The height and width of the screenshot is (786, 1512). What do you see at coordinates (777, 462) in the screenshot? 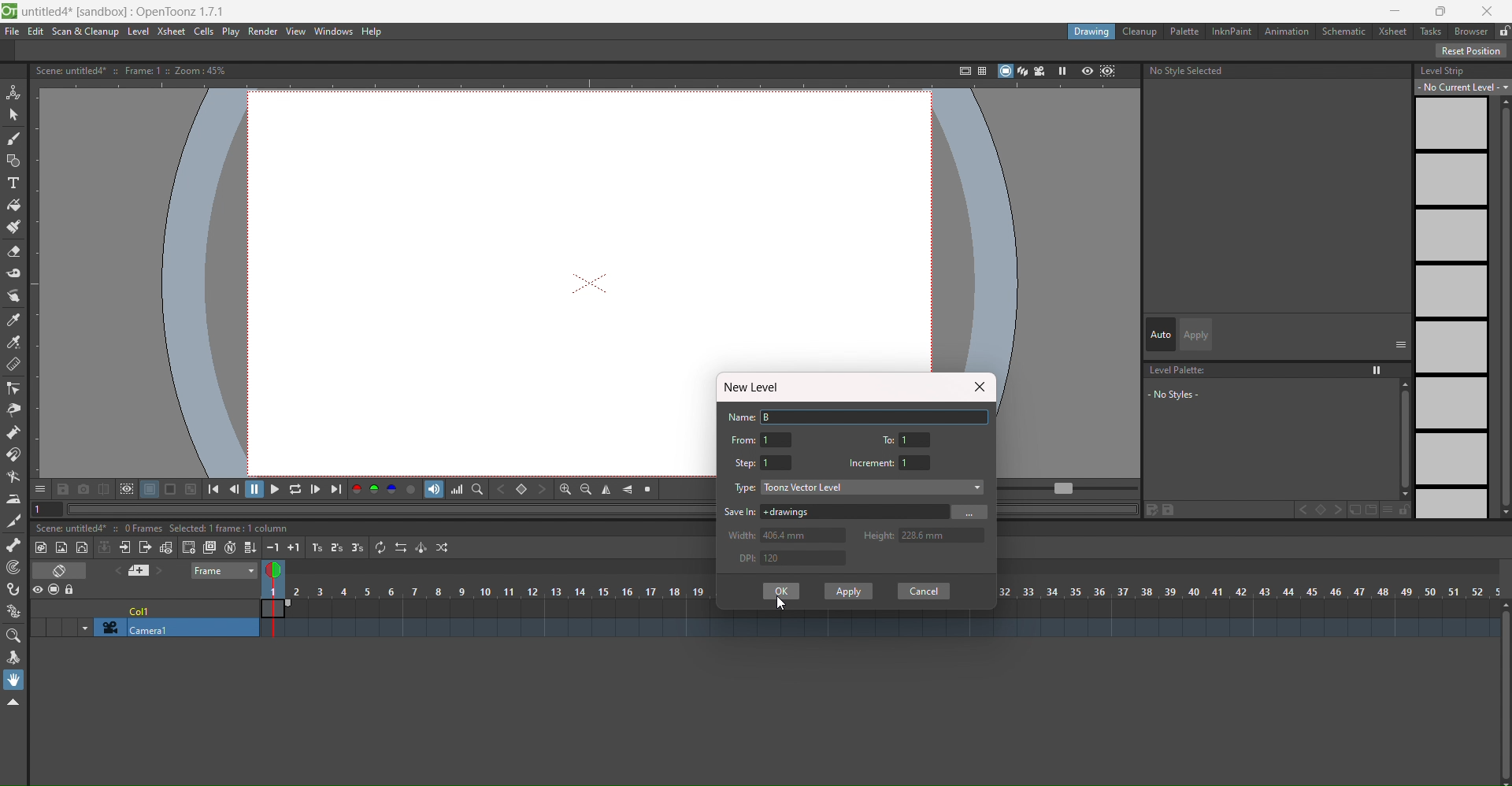
I see `1` at bounding box center [777, 462].